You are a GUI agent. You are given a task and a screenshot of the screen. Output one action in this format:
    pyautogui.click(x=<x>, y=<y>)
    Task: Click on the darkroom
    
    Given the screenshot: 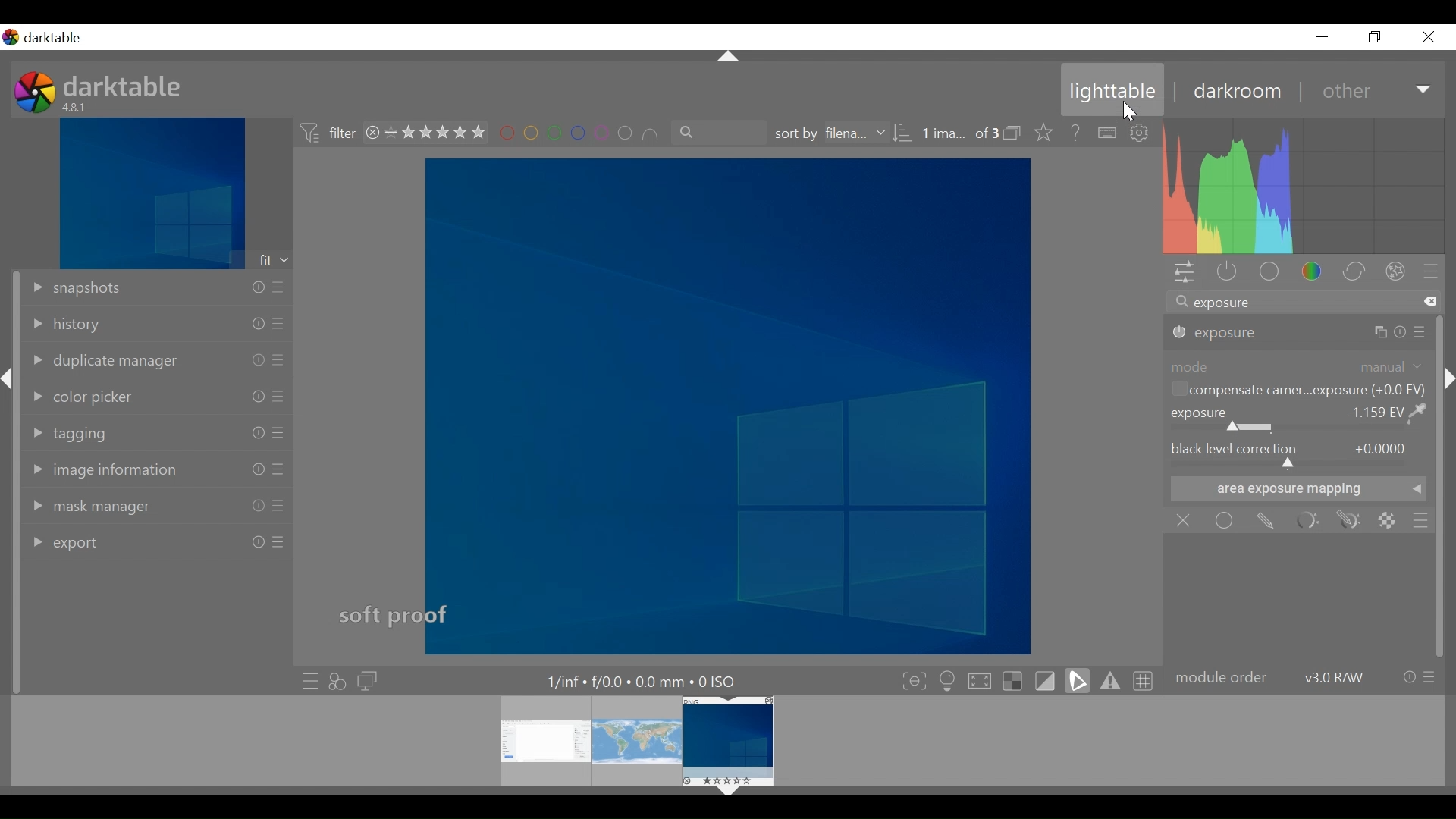 What is the action you would take?
    pyautogui.click(x=1231, y=93)
    